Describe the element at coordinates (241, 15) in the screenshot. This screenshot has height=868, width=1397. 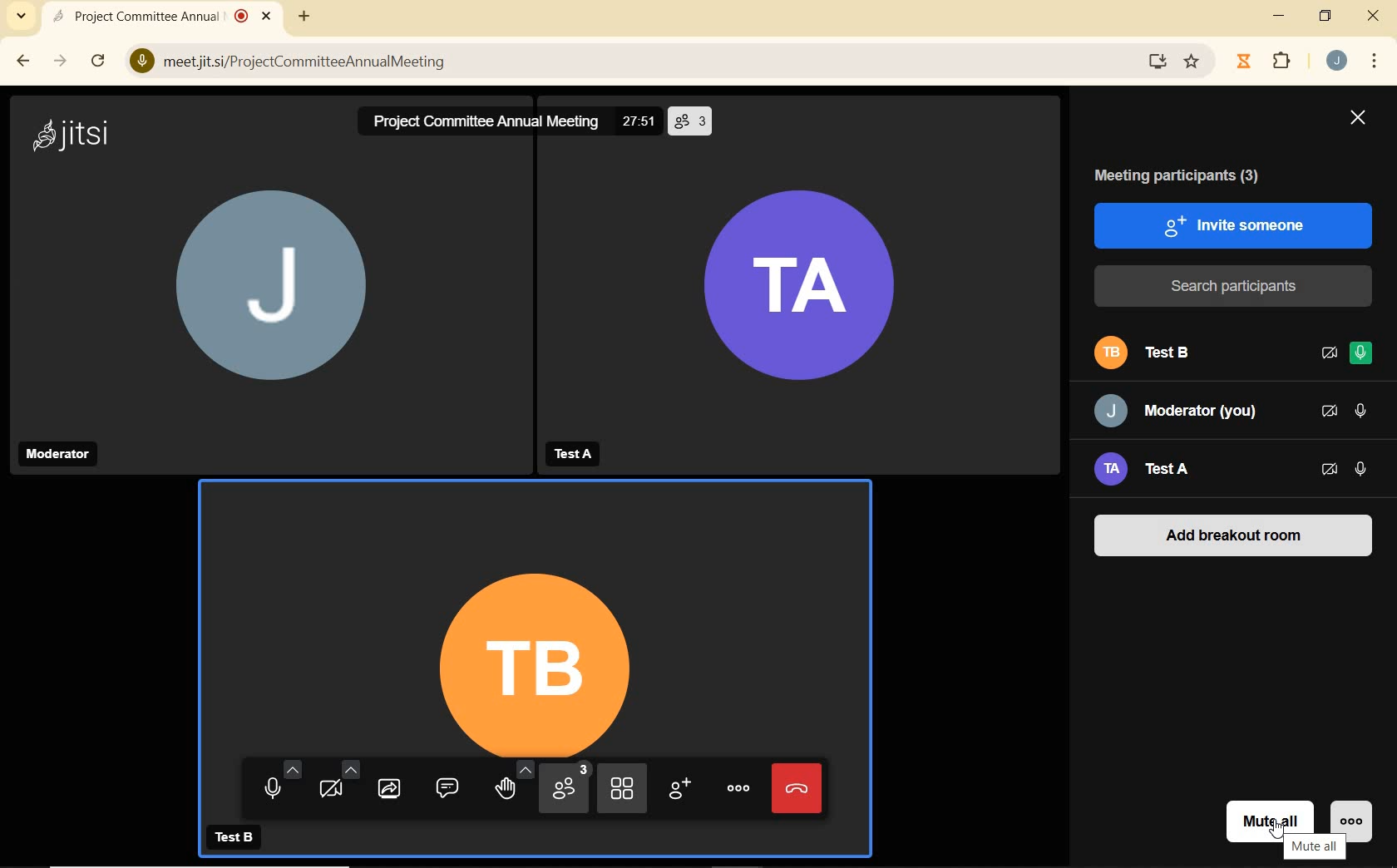
I see `recording` at that location.